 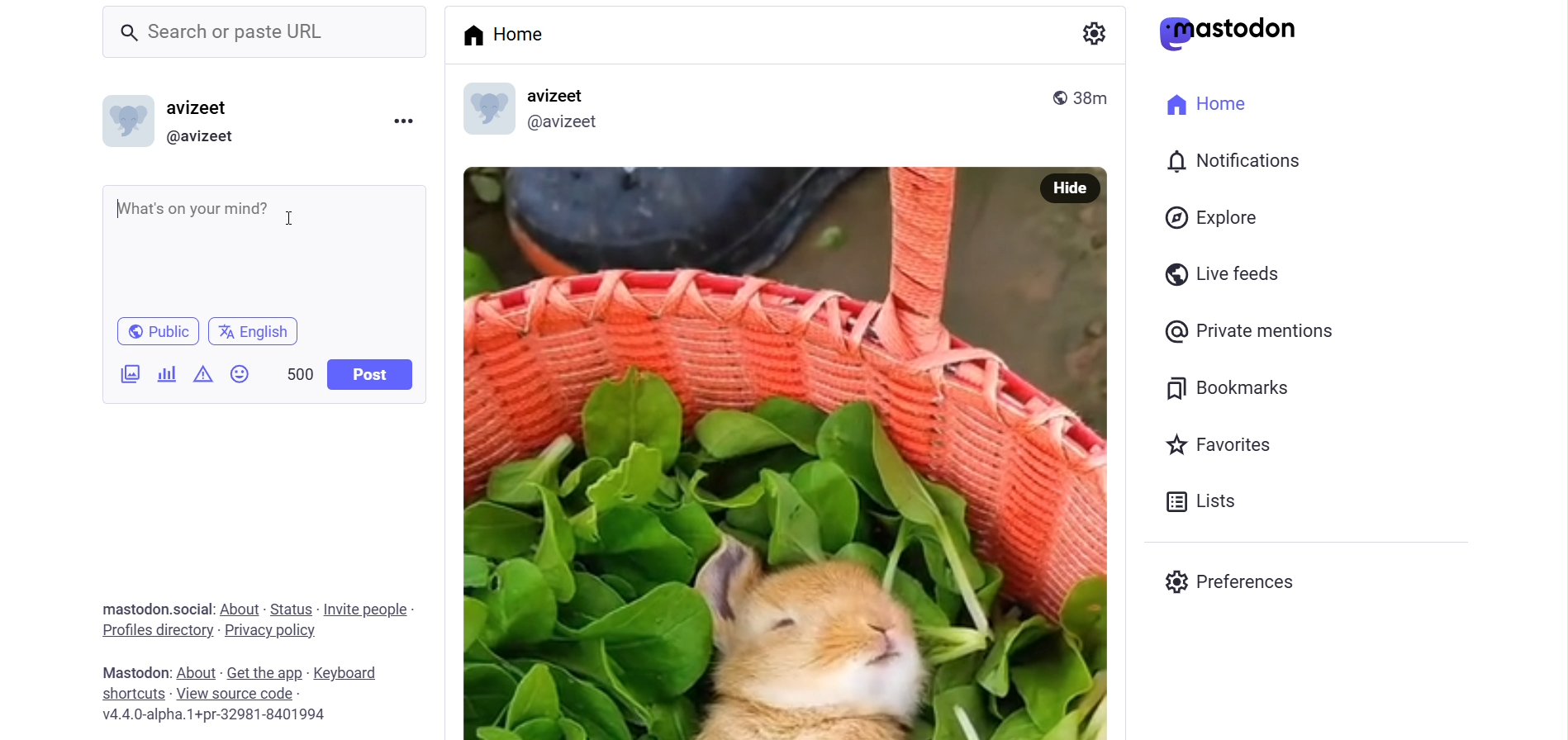 What do you see at coordinates (259, 330) in the screenshot?
I see `English` at bounding box center [259, 330].